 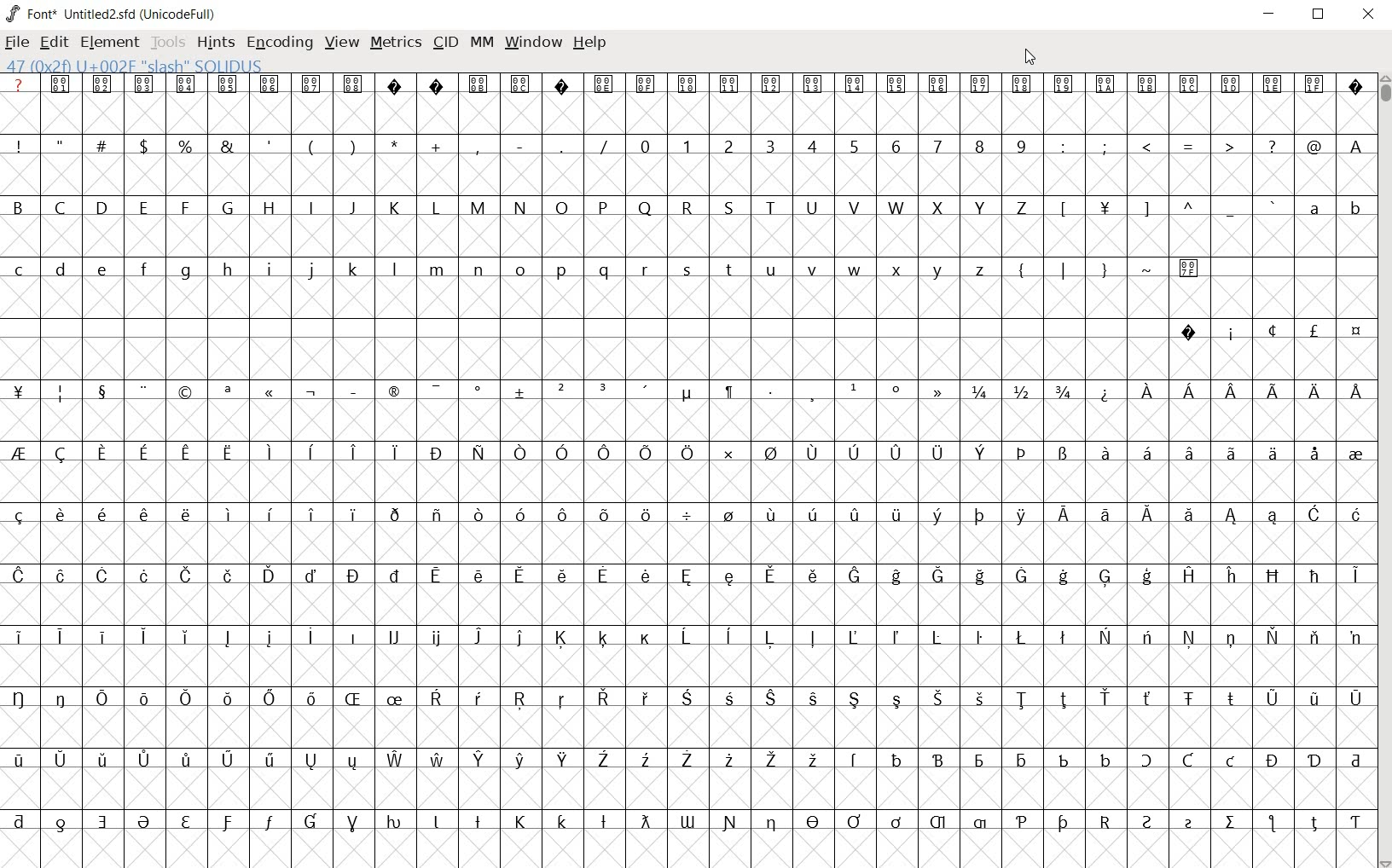 I want to click on , so click(x=685, y=819).